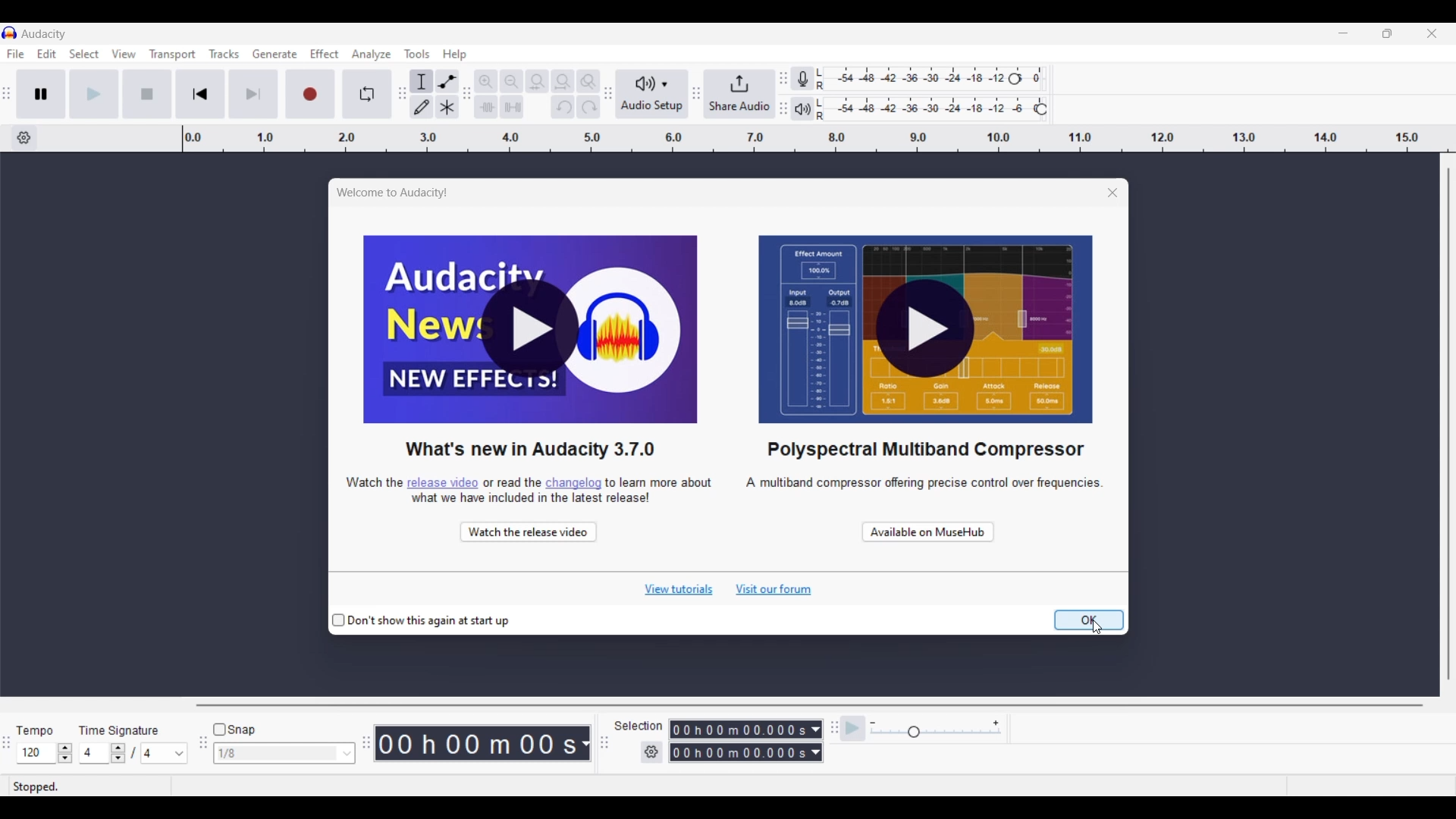  Describe the element at coordinates (367, 94) in the screenshot. I see `Enable looping` at that location.